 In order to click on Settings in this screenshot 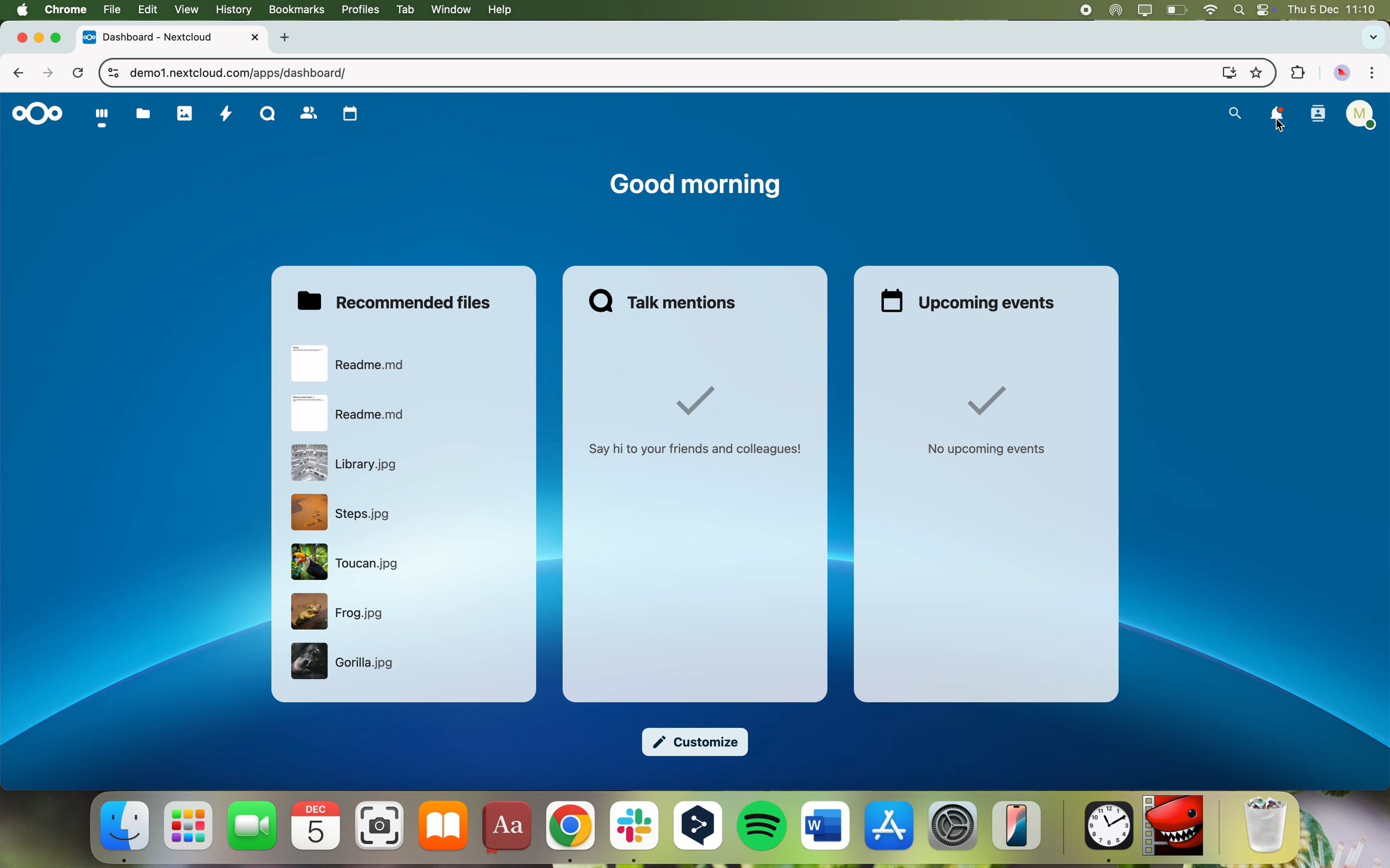, I will do `click(953, 826)`.